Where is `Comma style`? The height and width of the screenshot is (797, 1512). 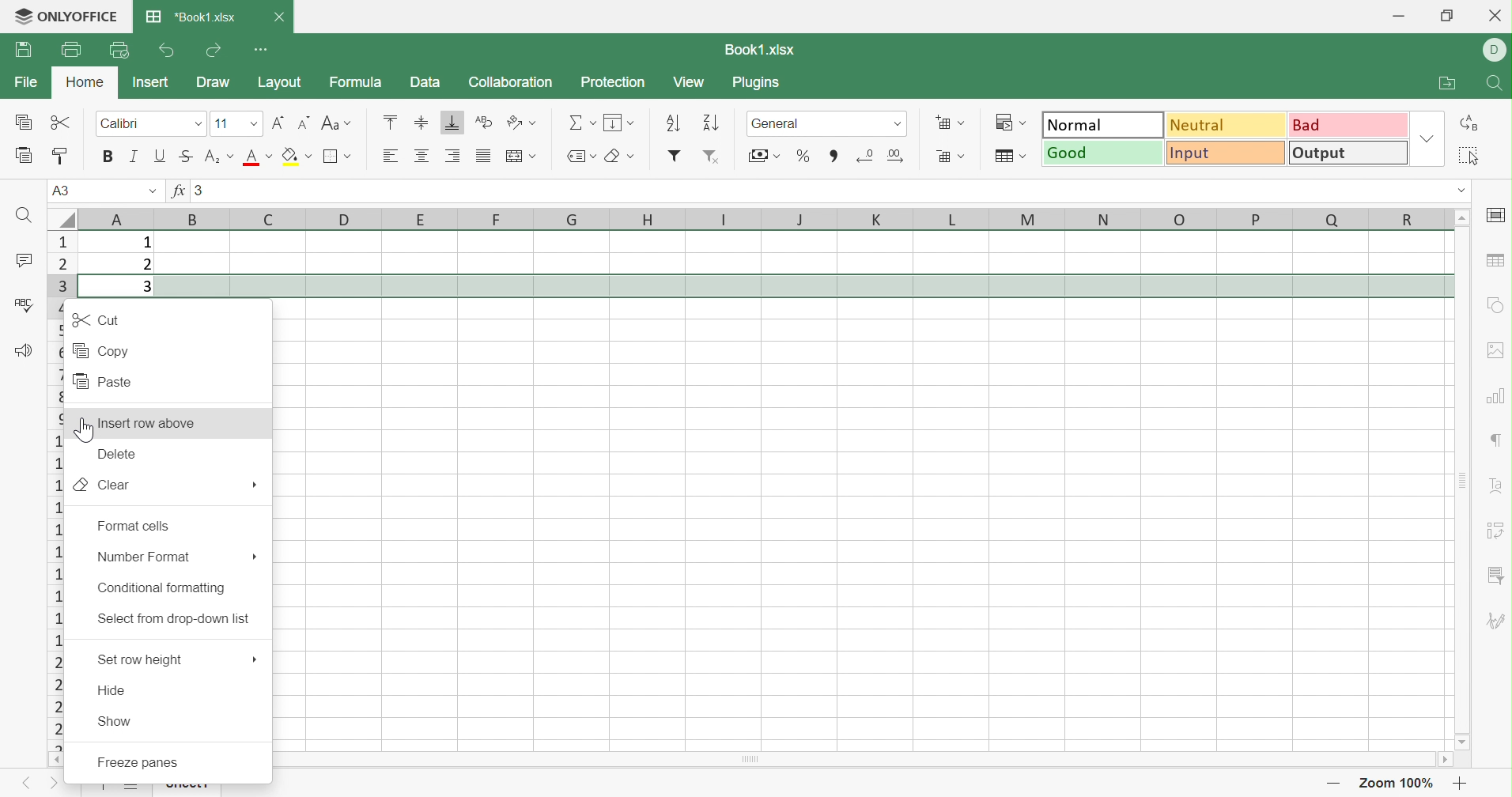
Comma style is located at coordinates (833, 157).